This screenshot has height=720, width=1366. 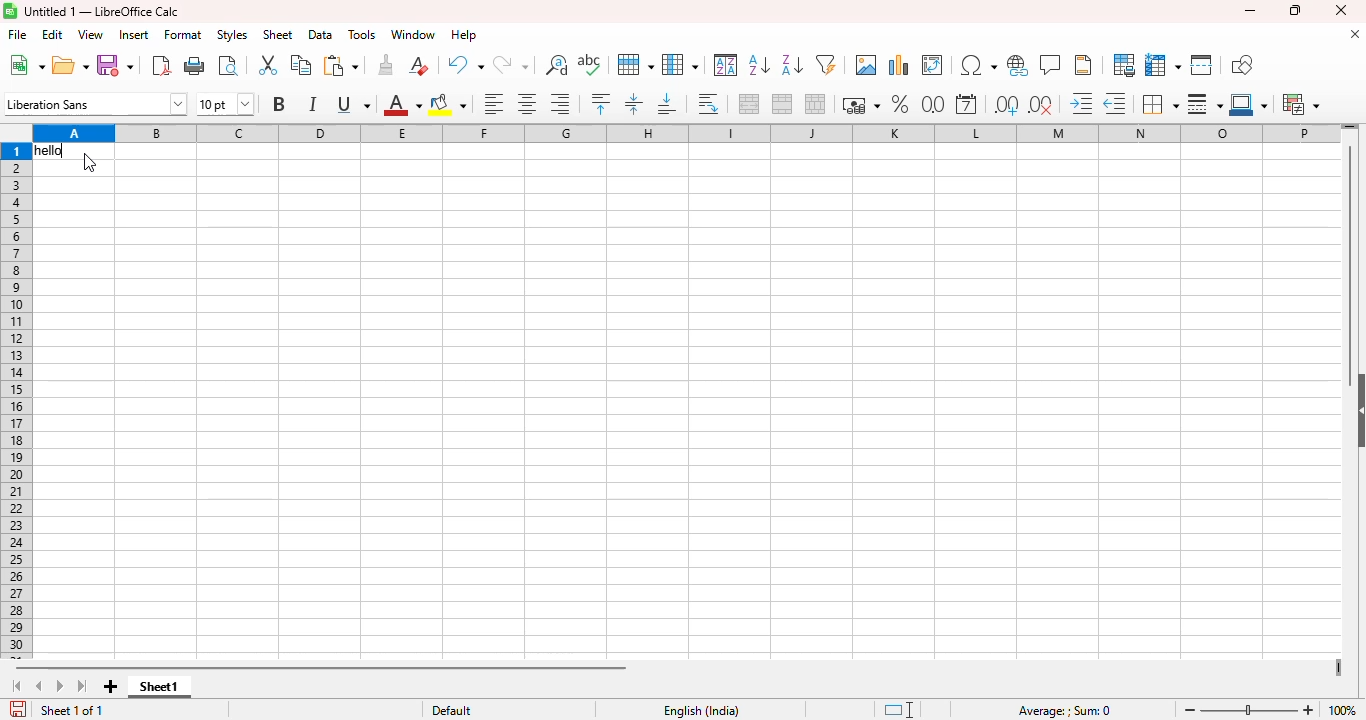 I want to click on title, so click(x=102, y=11).